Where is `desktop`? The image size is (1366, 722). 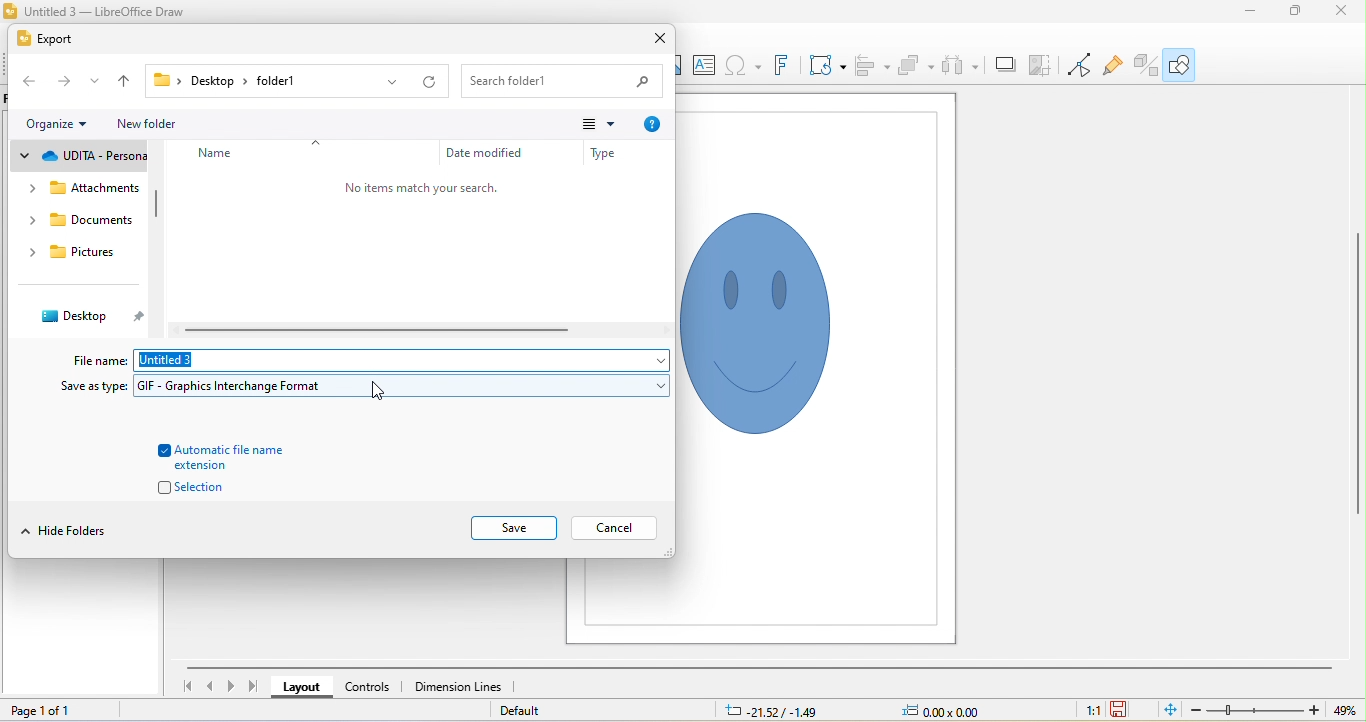 desktop is located at coordinates (74, 317).